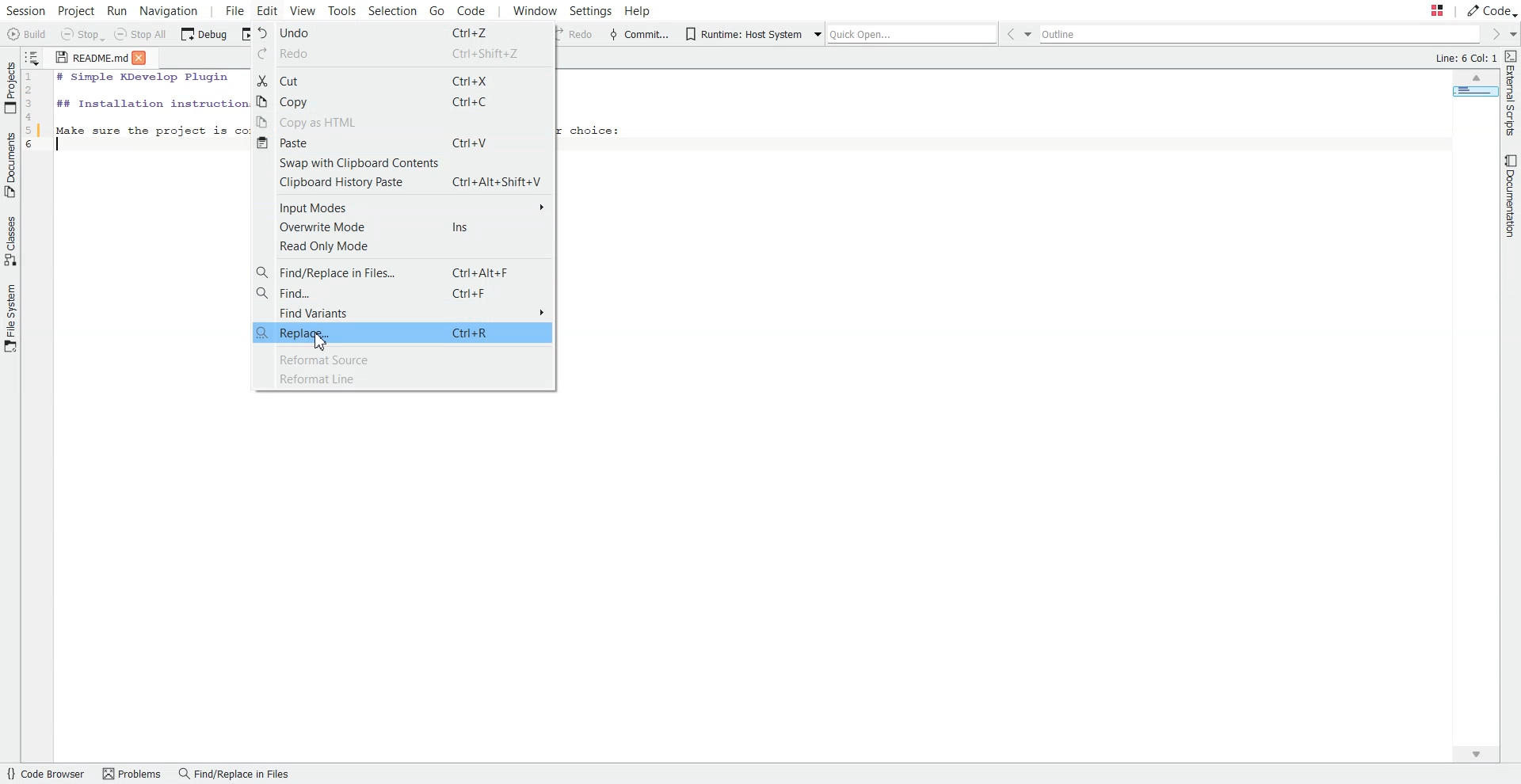 This screenshot has height=784, width=1521. What do you see at coordinates (141, 58) in the screenshot?
I see `Close` at bounding box center [141, 58].